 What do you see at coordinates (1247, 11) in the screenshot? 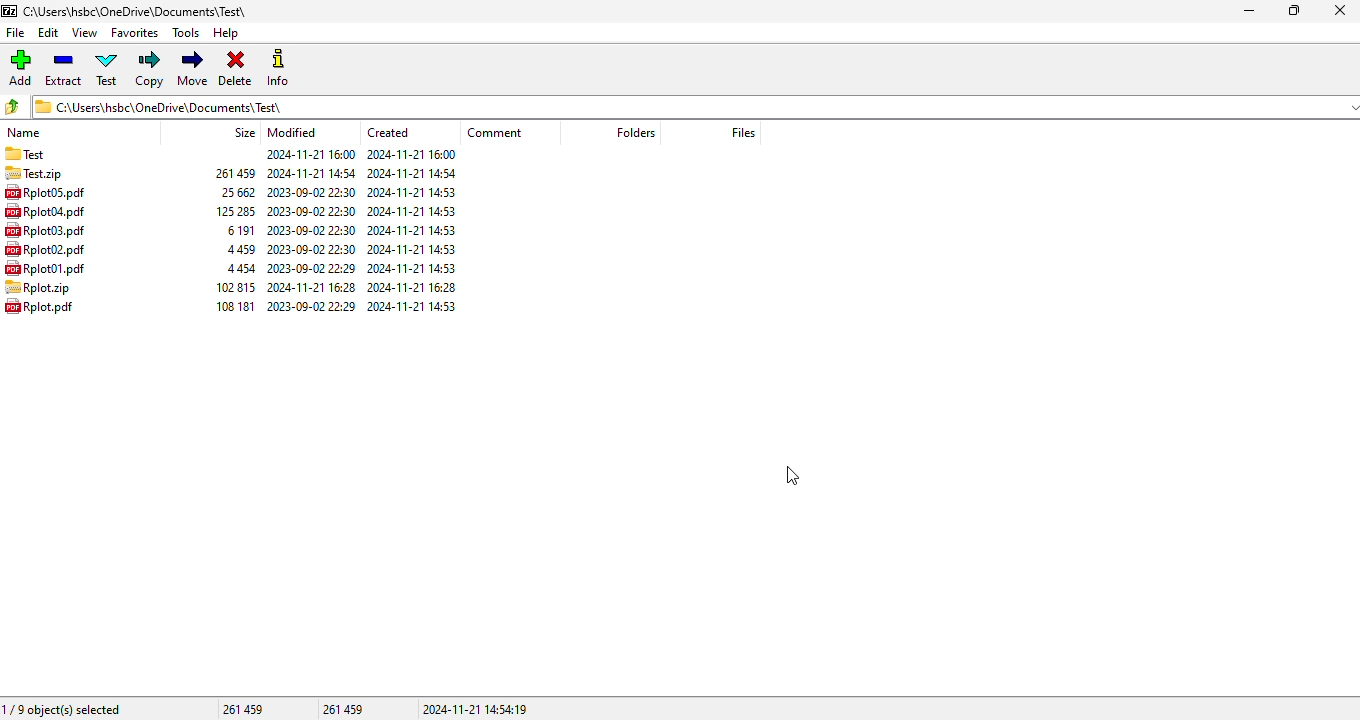
I see `minimize` at bounding box center [1247, 11].